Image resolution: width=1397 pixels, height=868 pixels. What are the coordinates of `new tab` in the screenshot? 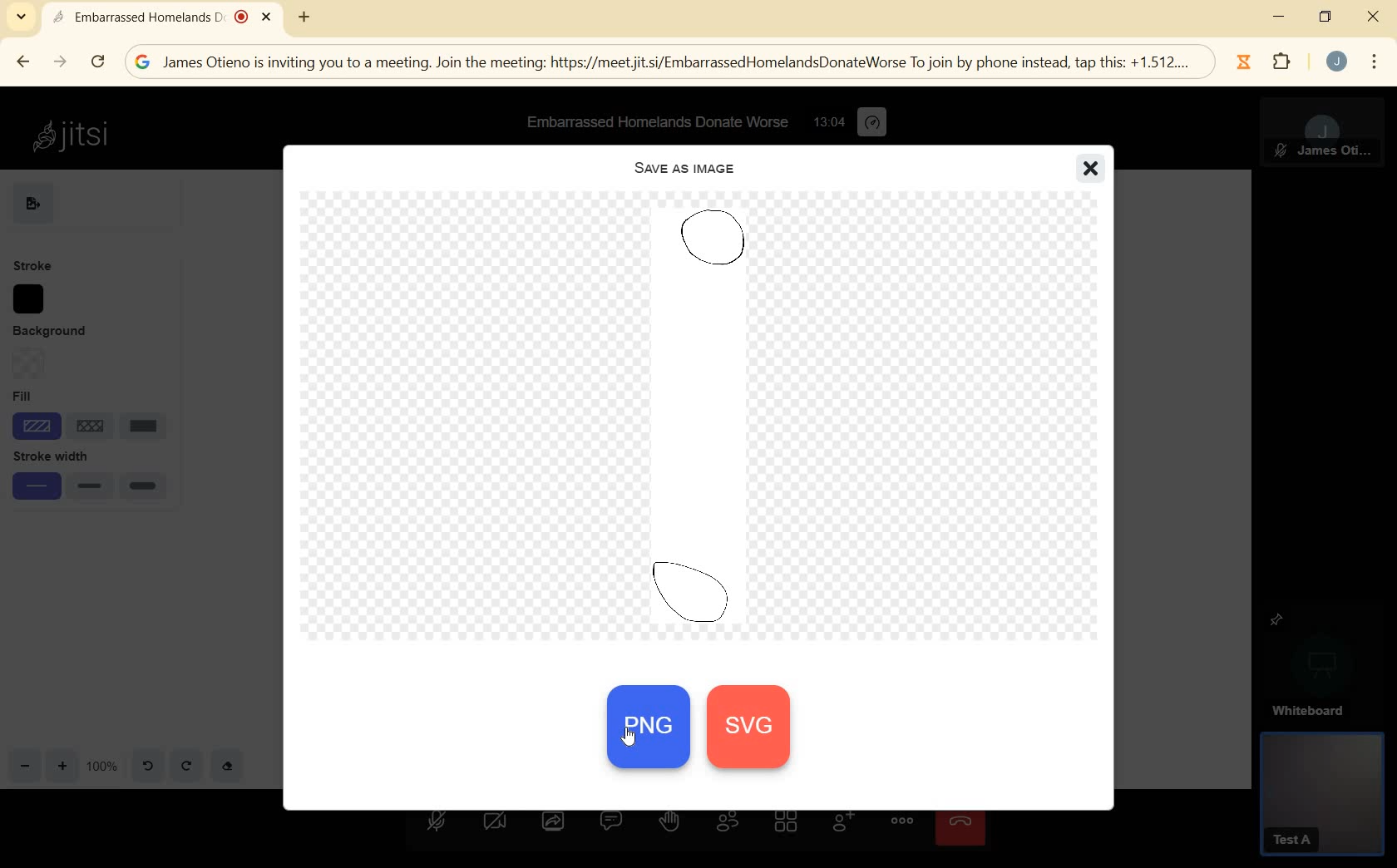 It's located at (304, 16).